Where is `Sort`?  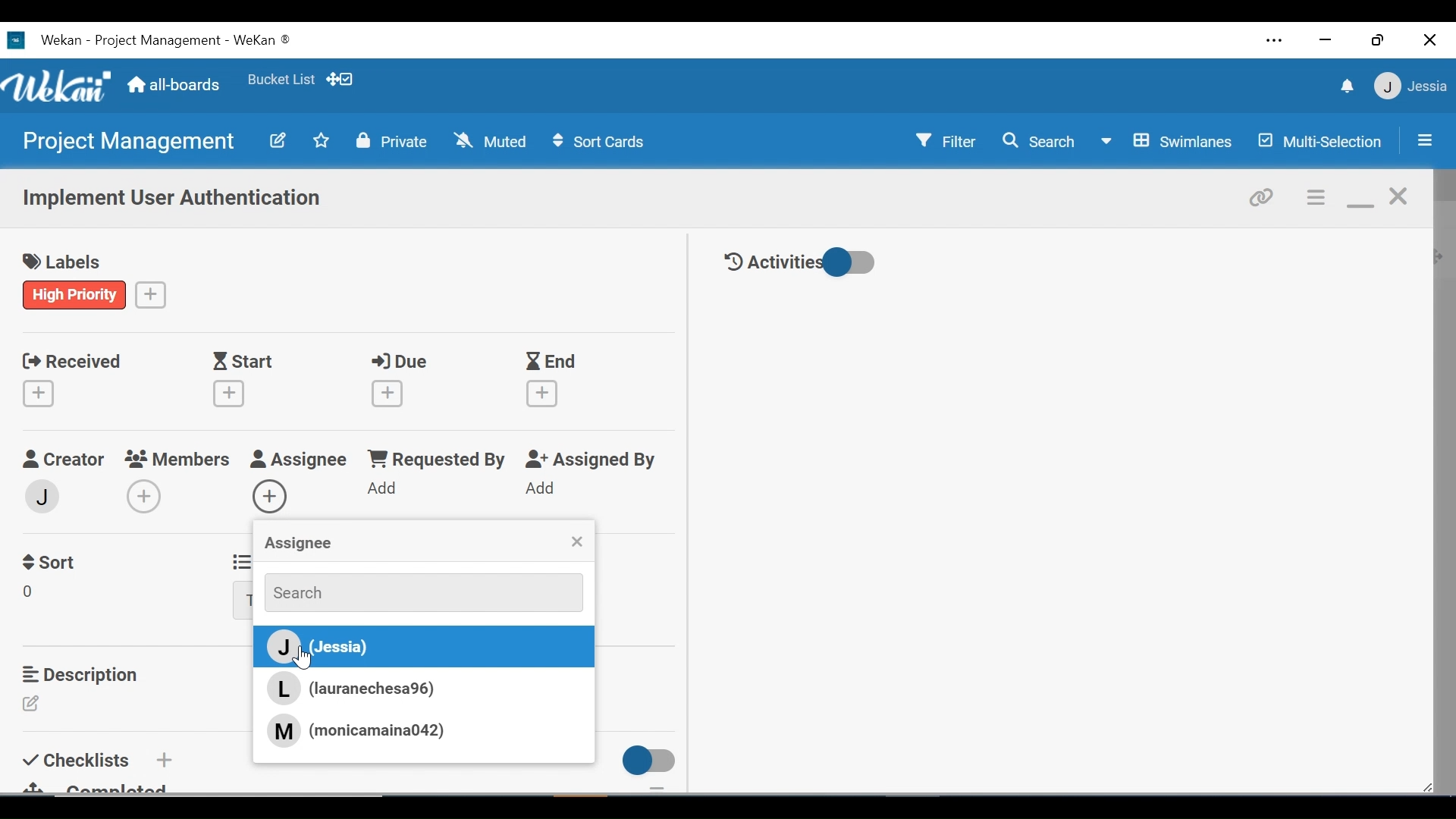
Sort is located at coordinates (52, 560).